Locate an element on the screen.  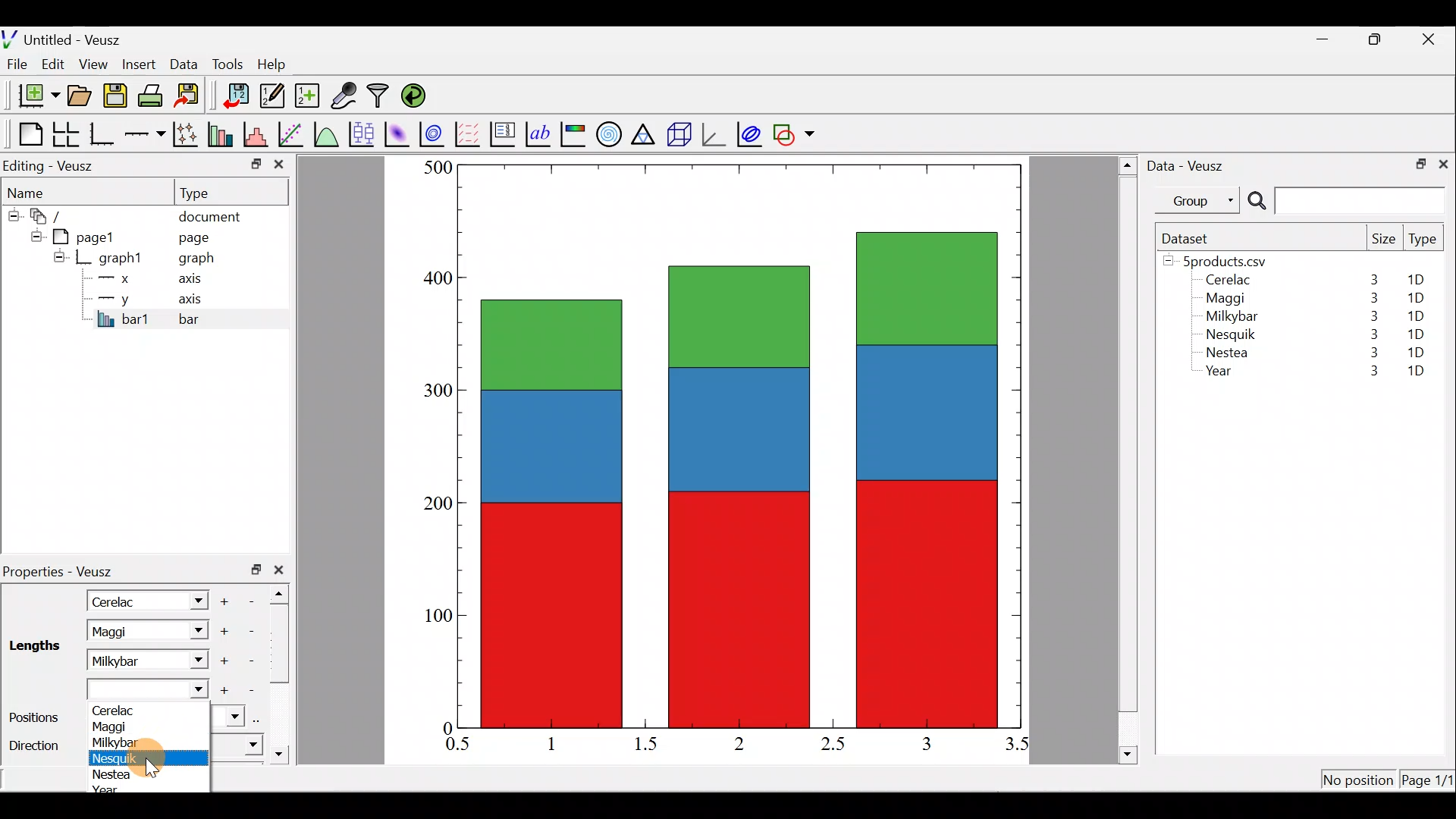
100 is located at coordinates (433, 620).